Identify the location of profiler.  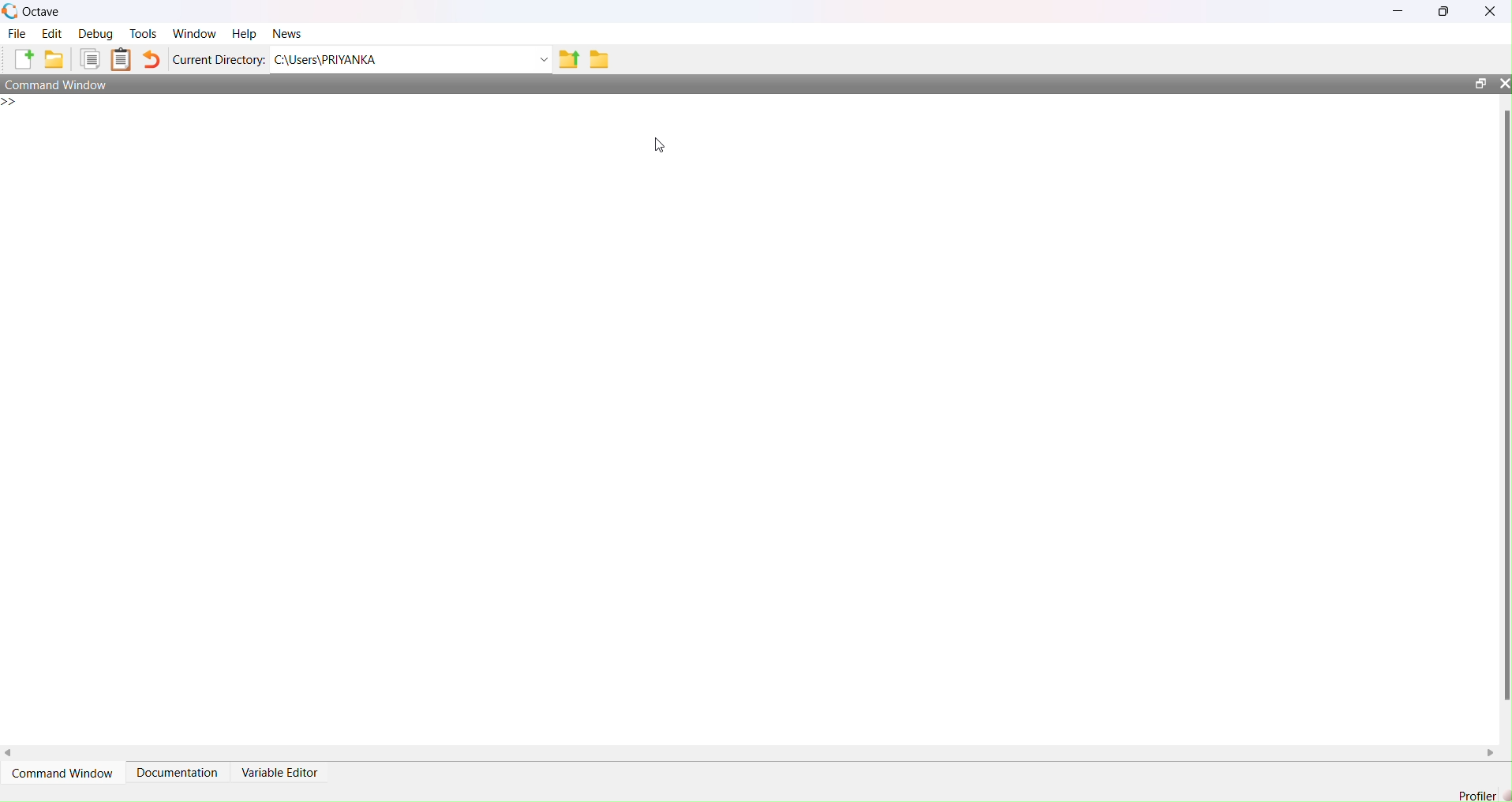
(1478, 795).